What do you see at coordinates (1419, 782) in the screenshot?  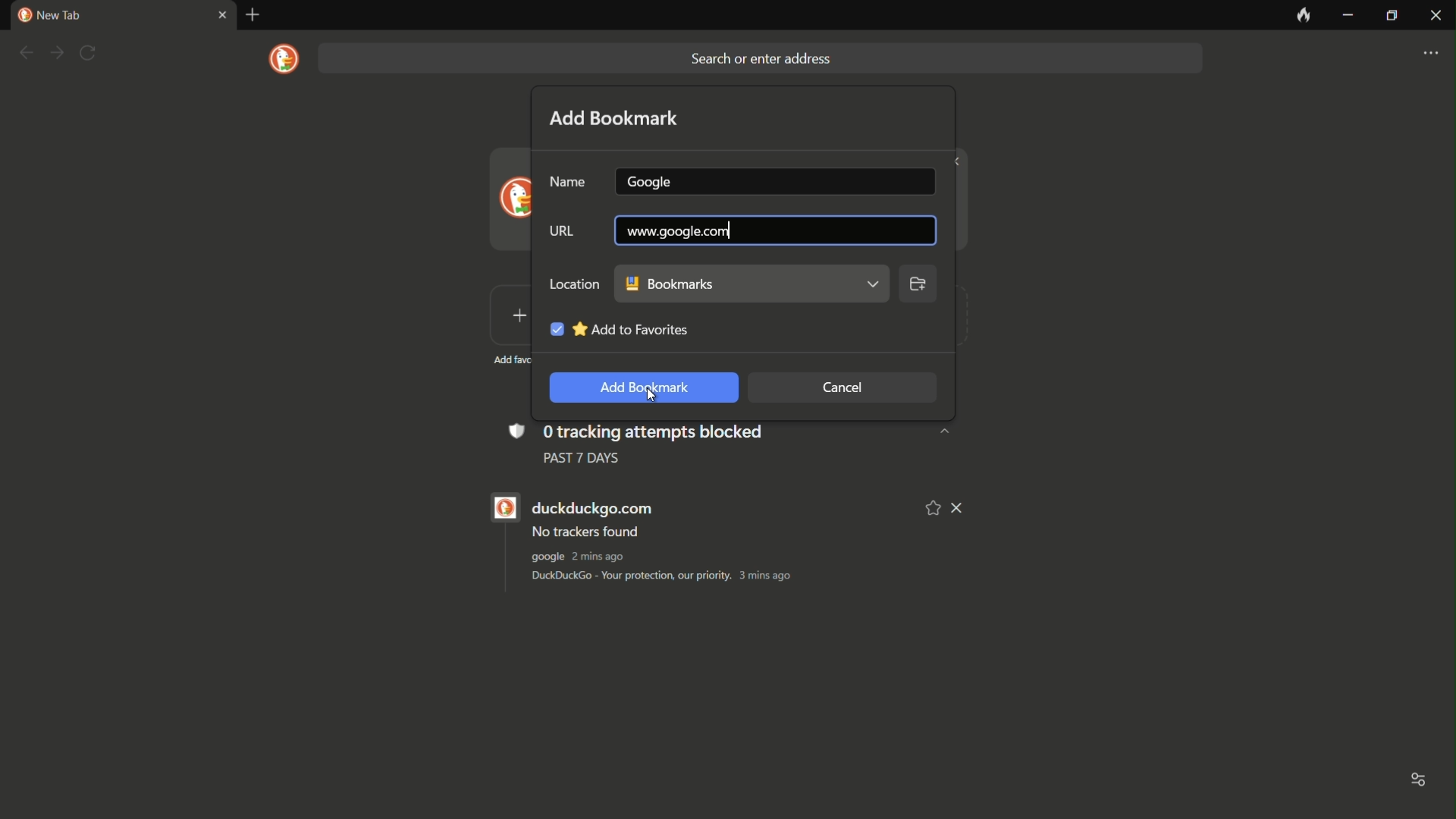 I see `toggle options` at bounding box center [1419, 782].